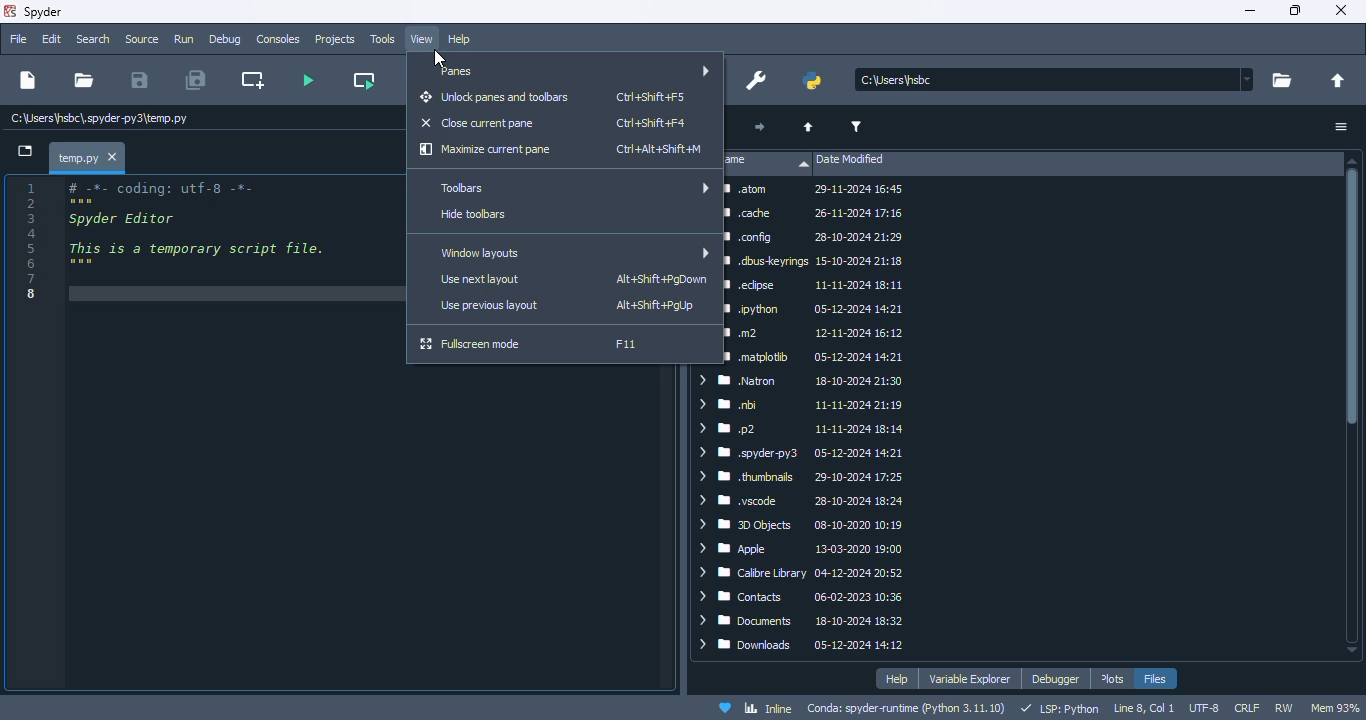 Image resolution: width=1366 pixels, height=720 pixels. I want to click on RW, so click(1284, 707).